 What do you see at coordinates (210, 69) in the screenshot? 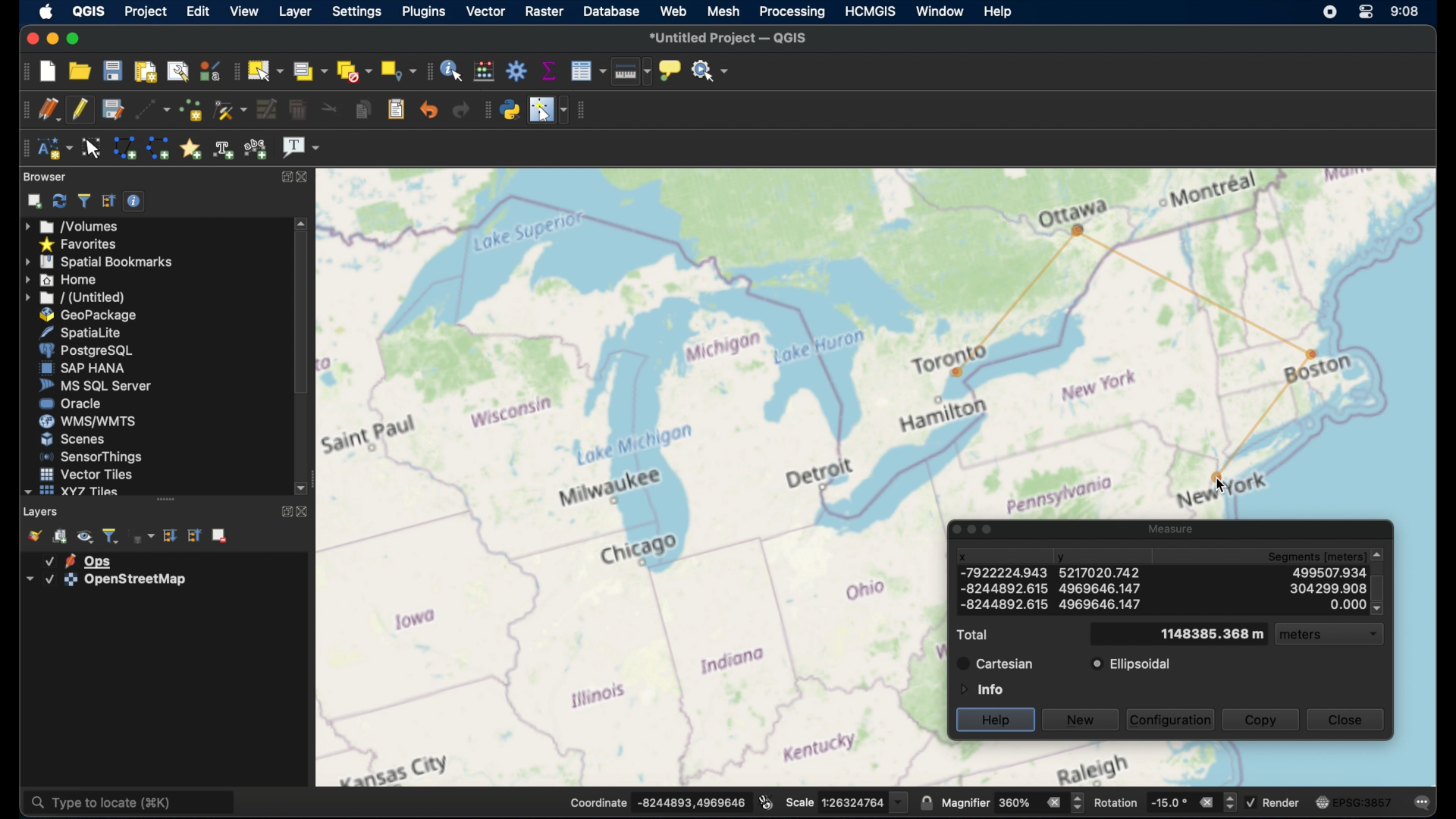
I see `style manager` at bounding box center [210, 69].